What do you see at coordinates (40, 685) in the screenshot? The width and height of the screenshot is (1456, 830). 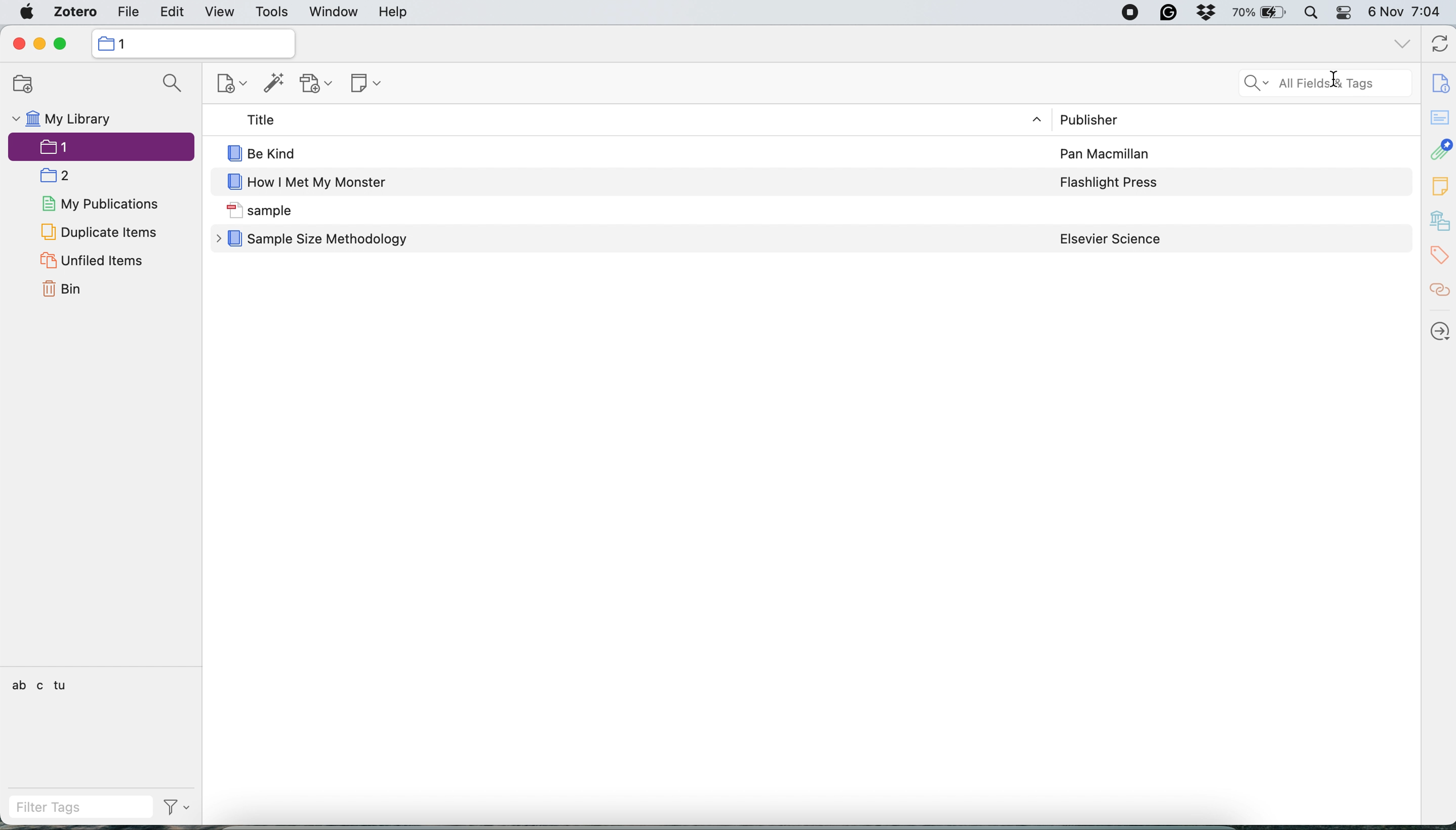 I see `ab c tu` at bounding box center [40, 685].